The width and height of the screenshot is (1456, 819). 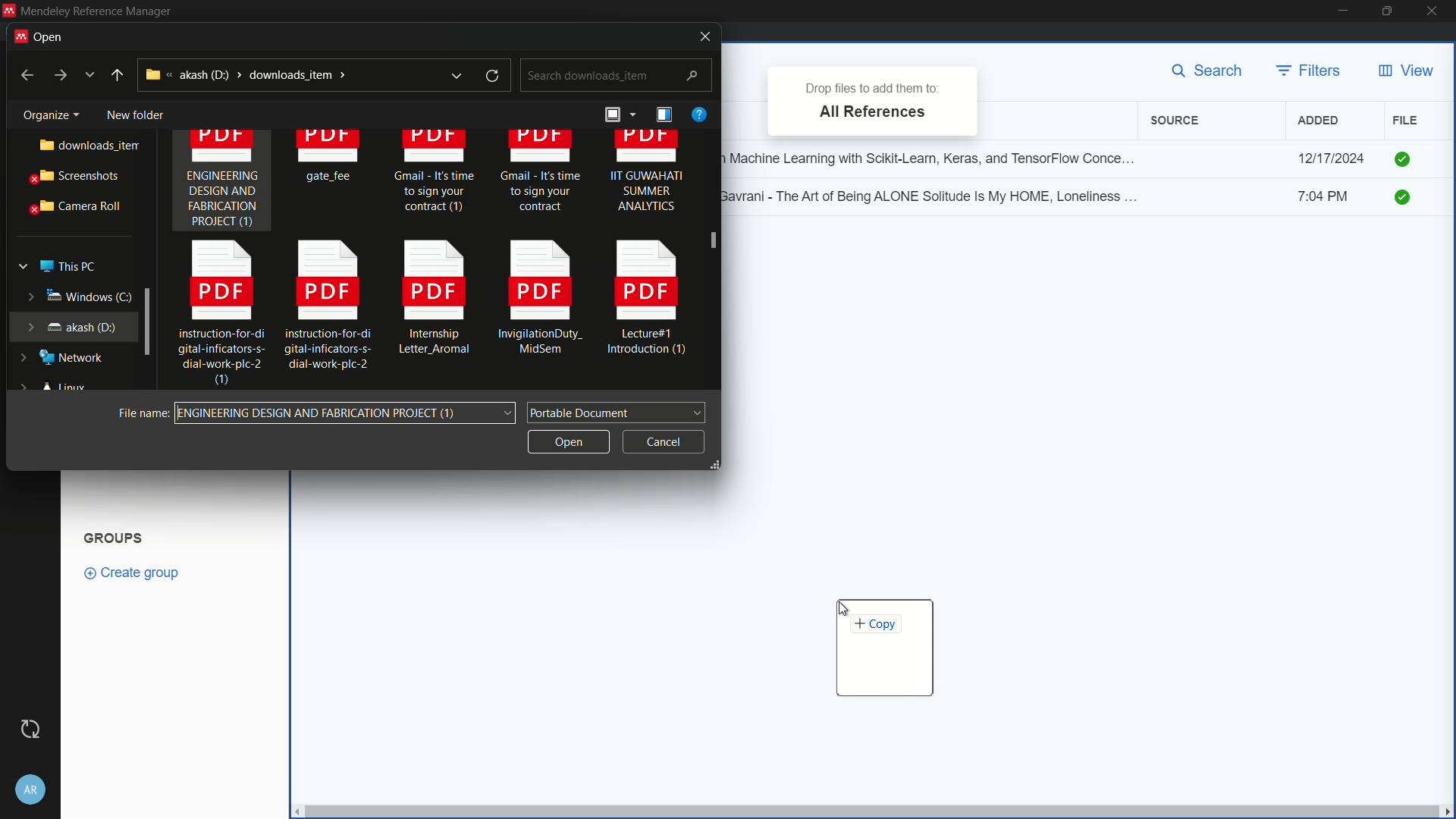 I want to click on expand window, so click(x=149, y=320).